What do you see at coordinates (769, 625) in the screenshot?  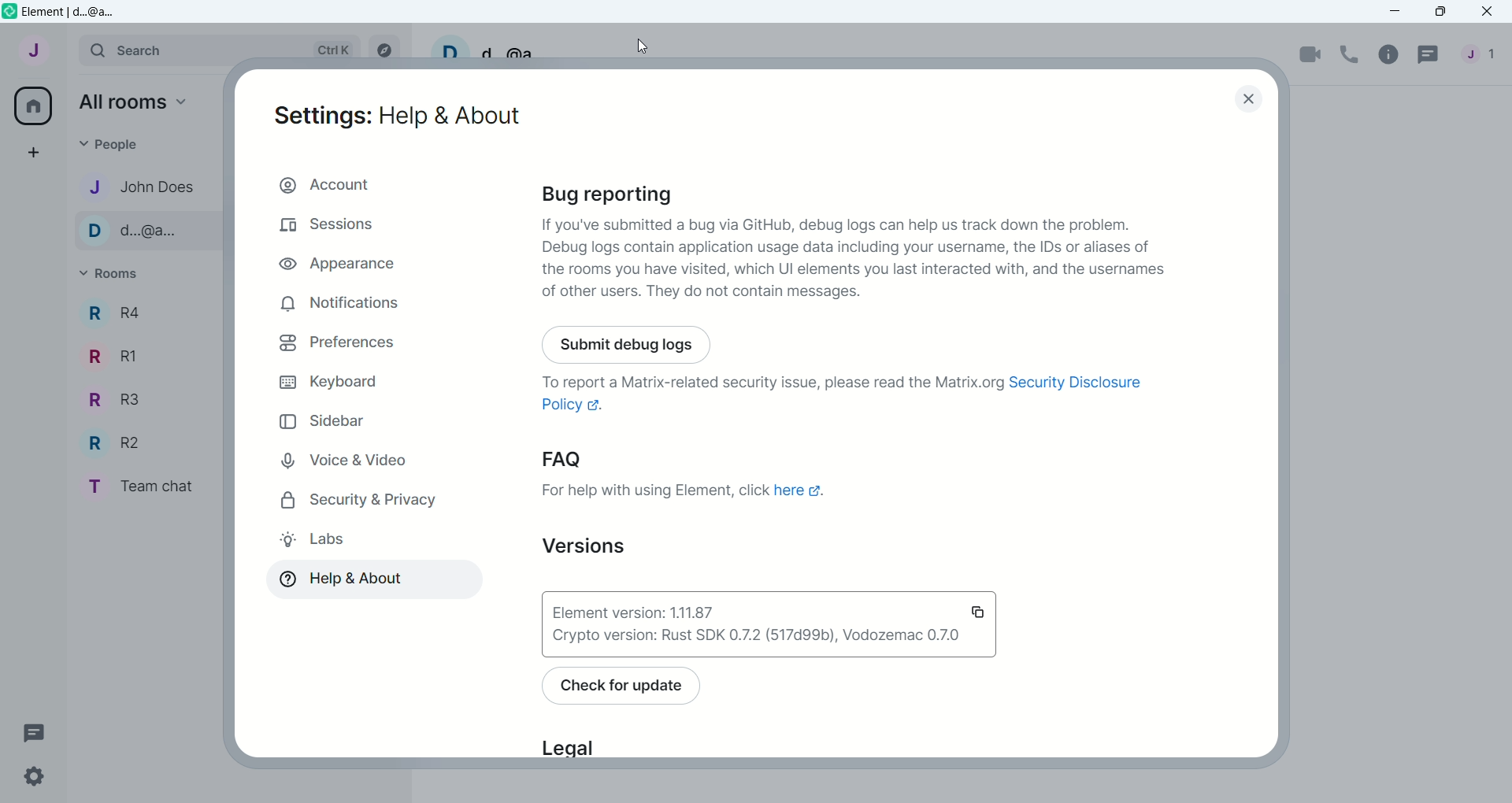 I see `Element version: 1.11.87    cryptoversion: rust SDK 0.72 (517d99b), vodozemac . 0.70` at bounding box center [769, 625].